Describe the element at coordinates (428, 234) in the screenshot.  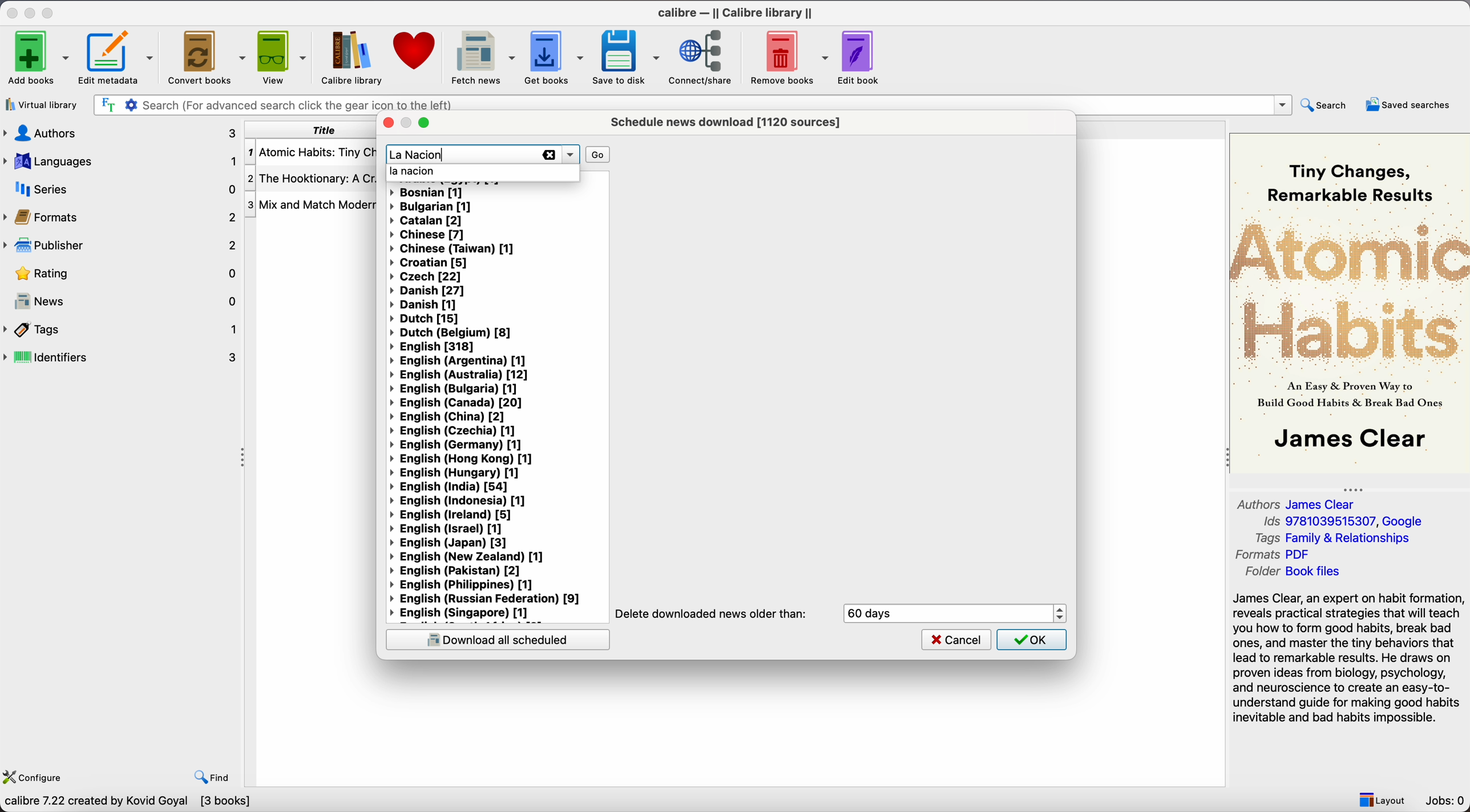
I see `Chinese [7]` at that location.